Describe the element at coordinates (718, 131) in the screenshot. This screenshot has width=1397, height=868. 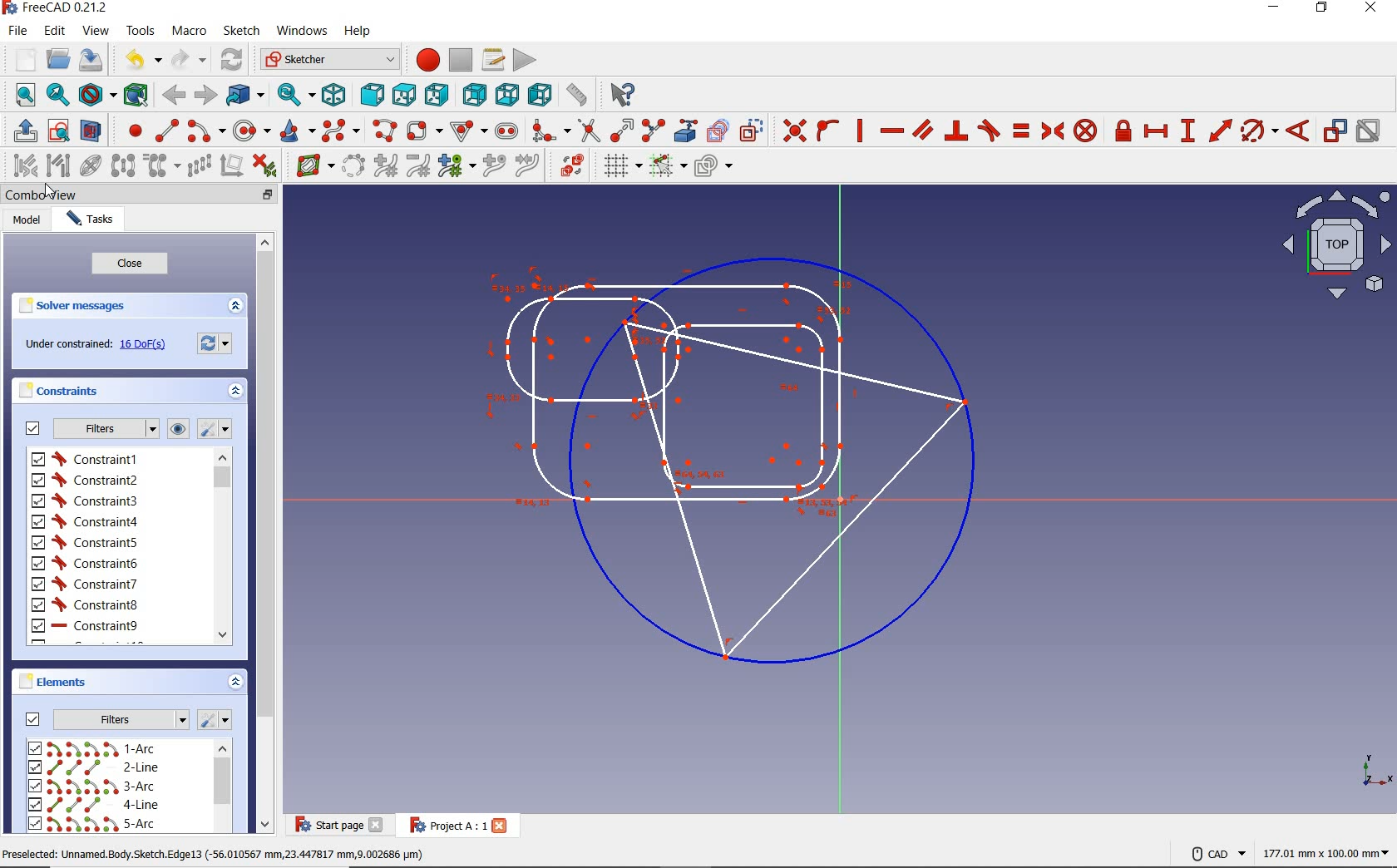
I see `create carbon copy` at that location.